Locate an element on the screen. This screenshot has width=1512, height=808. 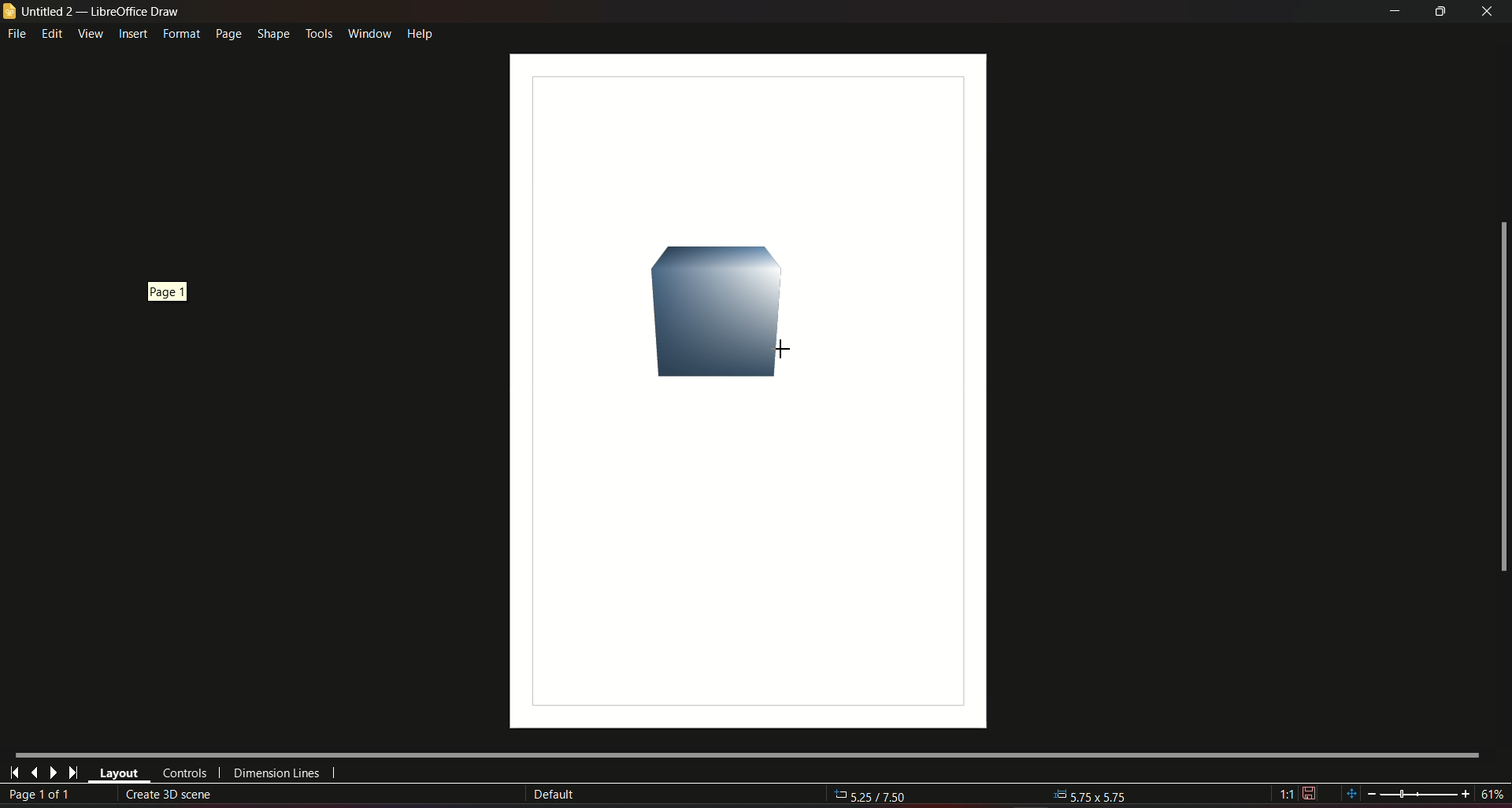
scrollbar is located at coordinates (1502, 398).